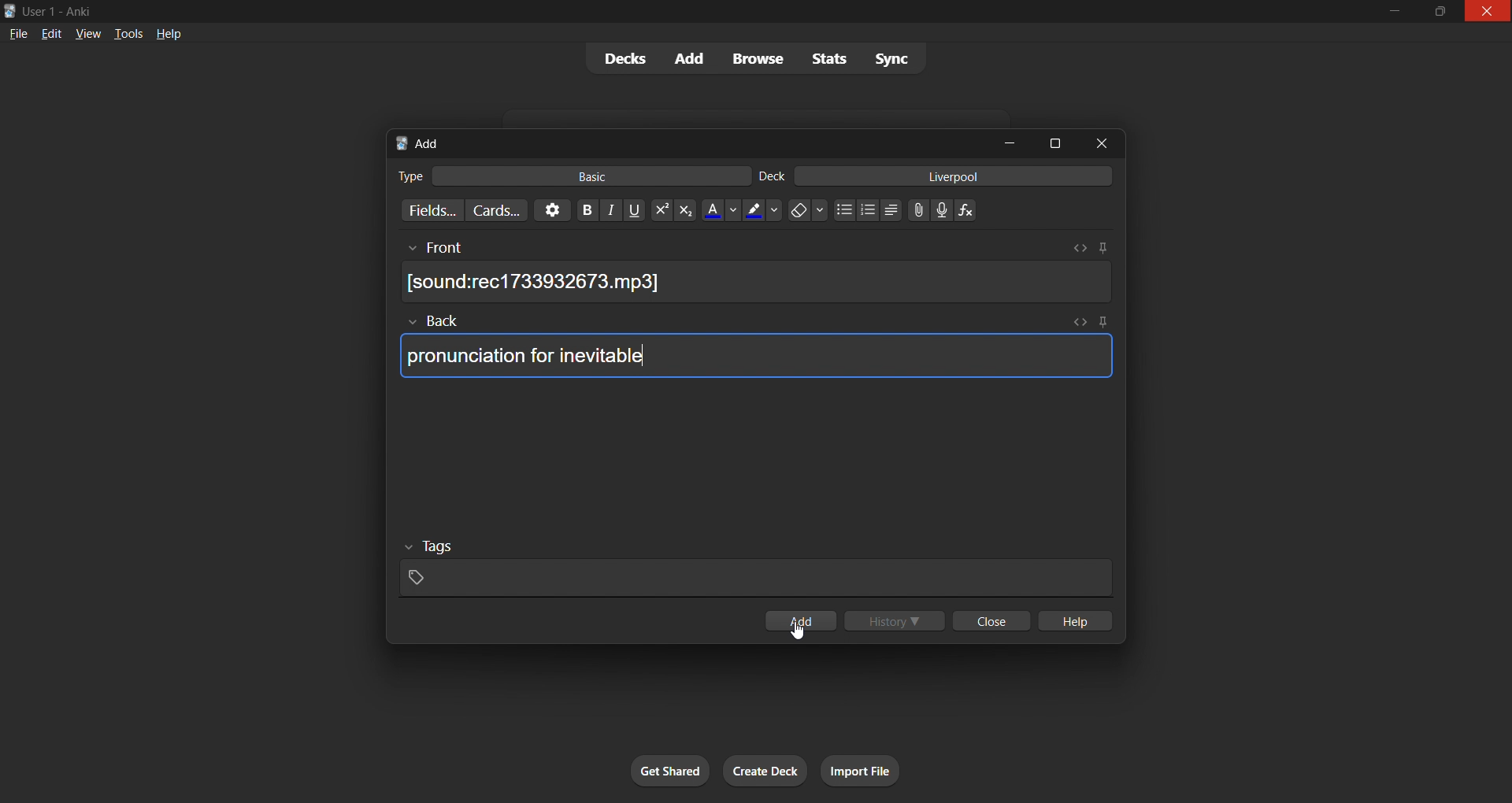  I want to click on typing cursor, so click(641, 361).